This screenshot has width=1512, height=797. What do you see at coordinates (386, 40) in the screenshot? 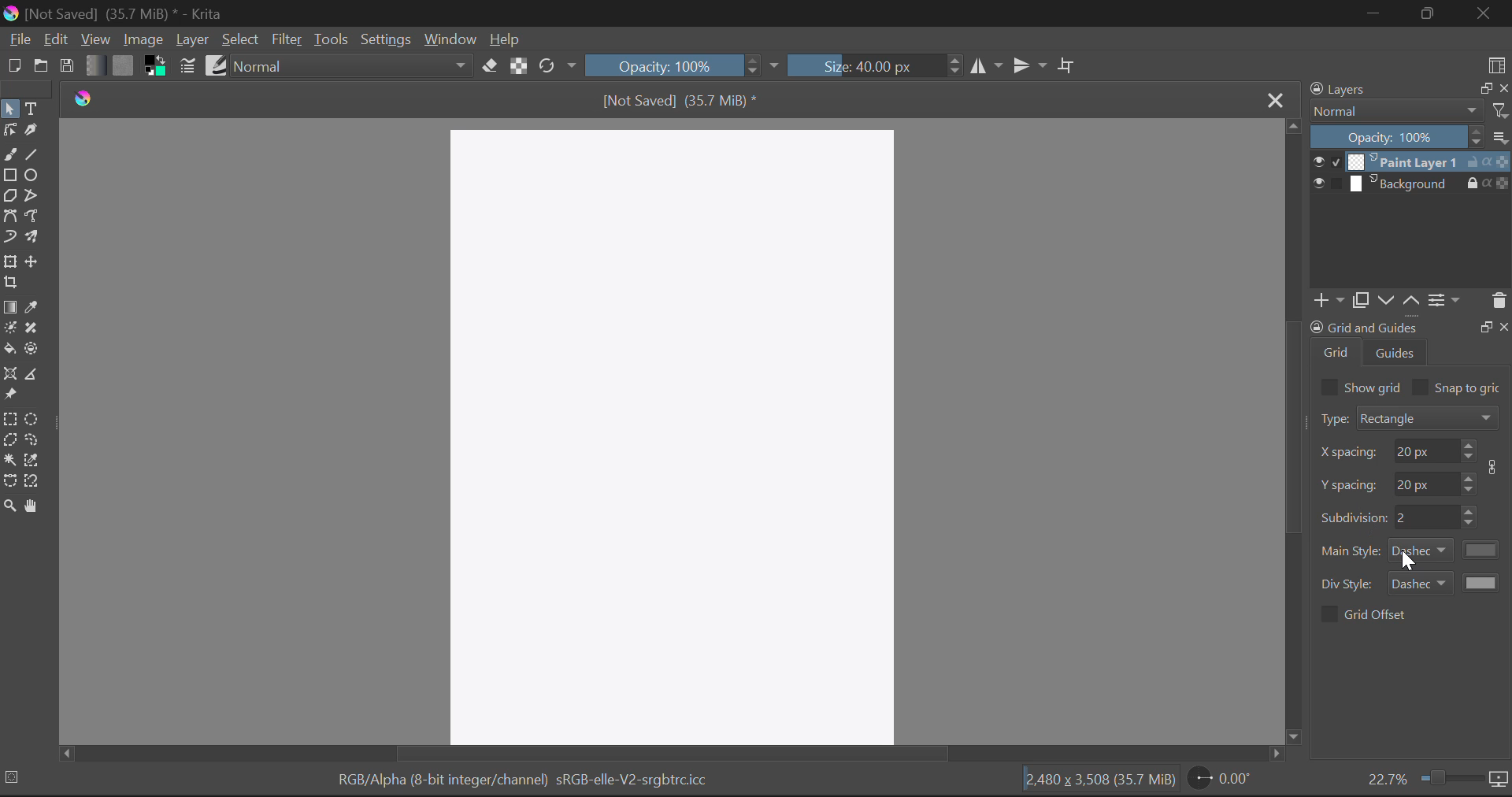
I see `Settings` at bounding box center [386, 40].